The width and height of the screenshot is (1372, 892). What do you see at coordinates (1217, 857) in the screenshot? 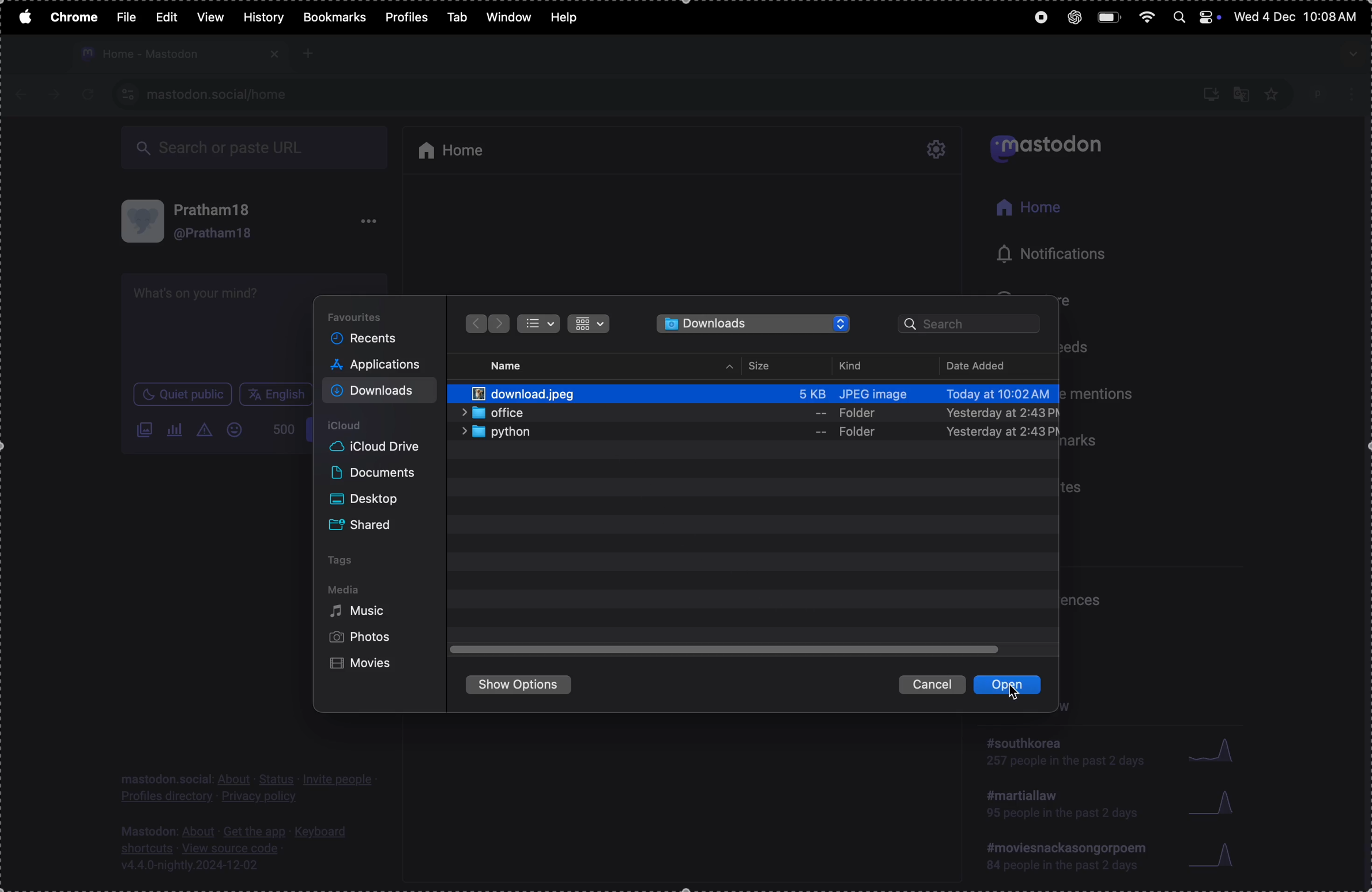
I see `graph` at bounding box center [1217, 857].